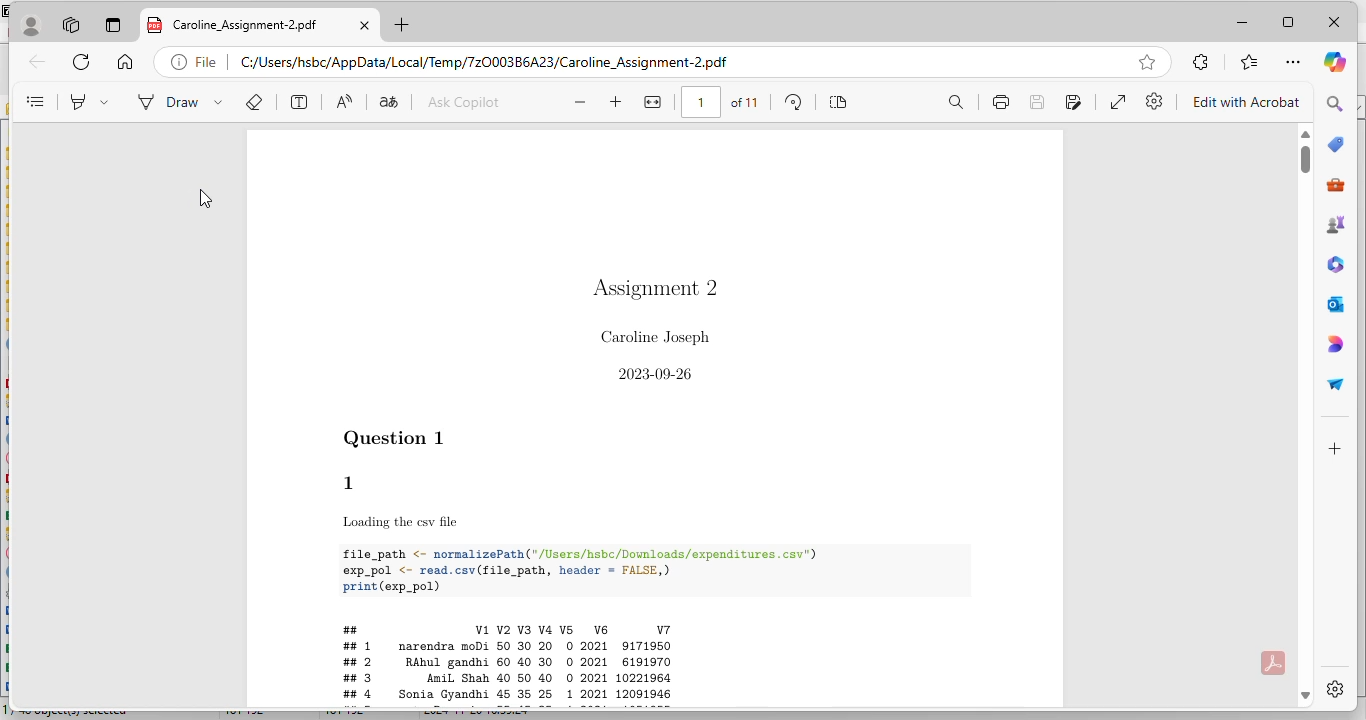 The width and height of the screenshot is (1366, 720). Describe the element at coordinates (1148, 62) in the screenshot. I see `add this tab to favorites` at that location.